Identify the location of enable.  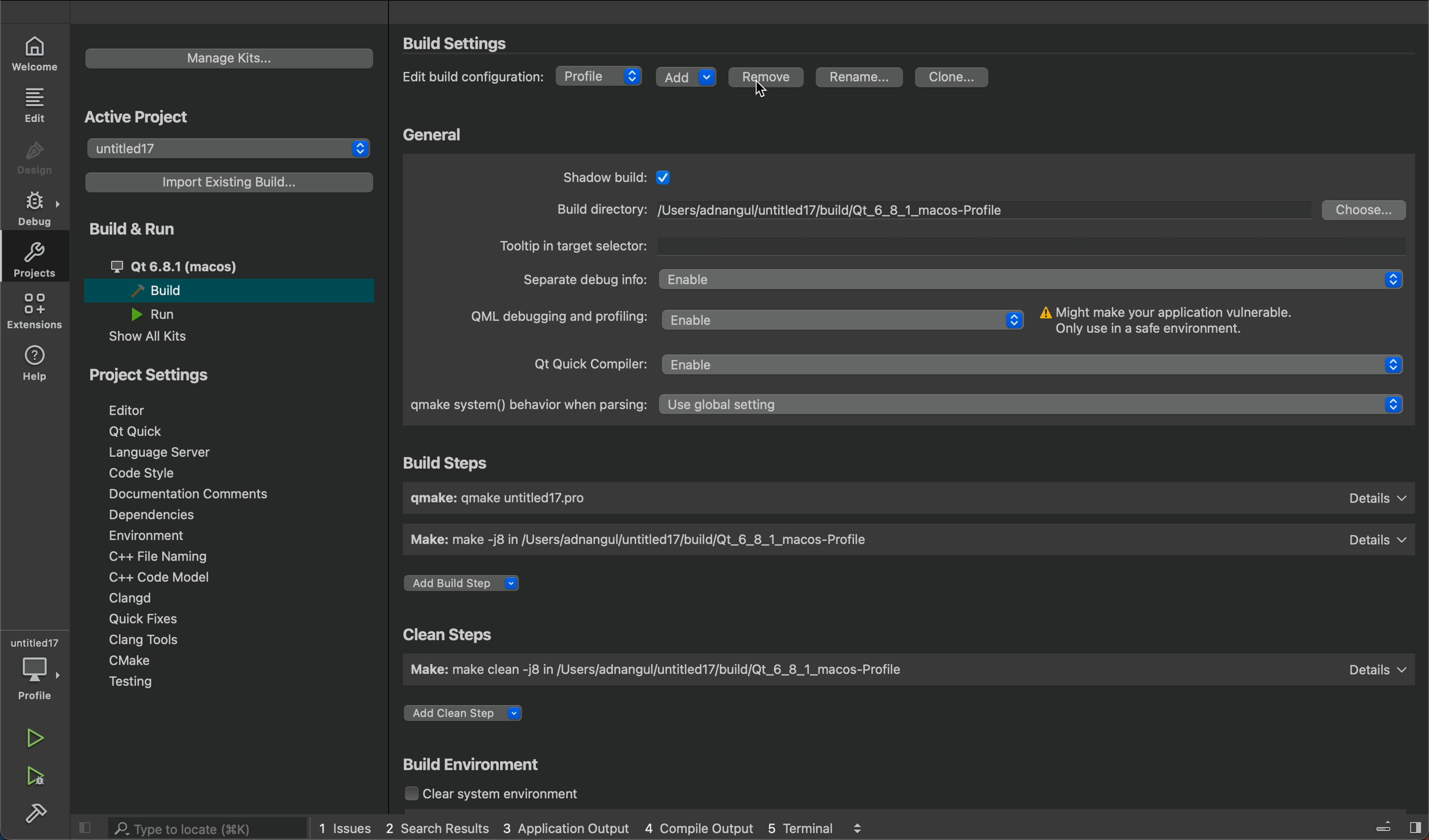
(847, 320).